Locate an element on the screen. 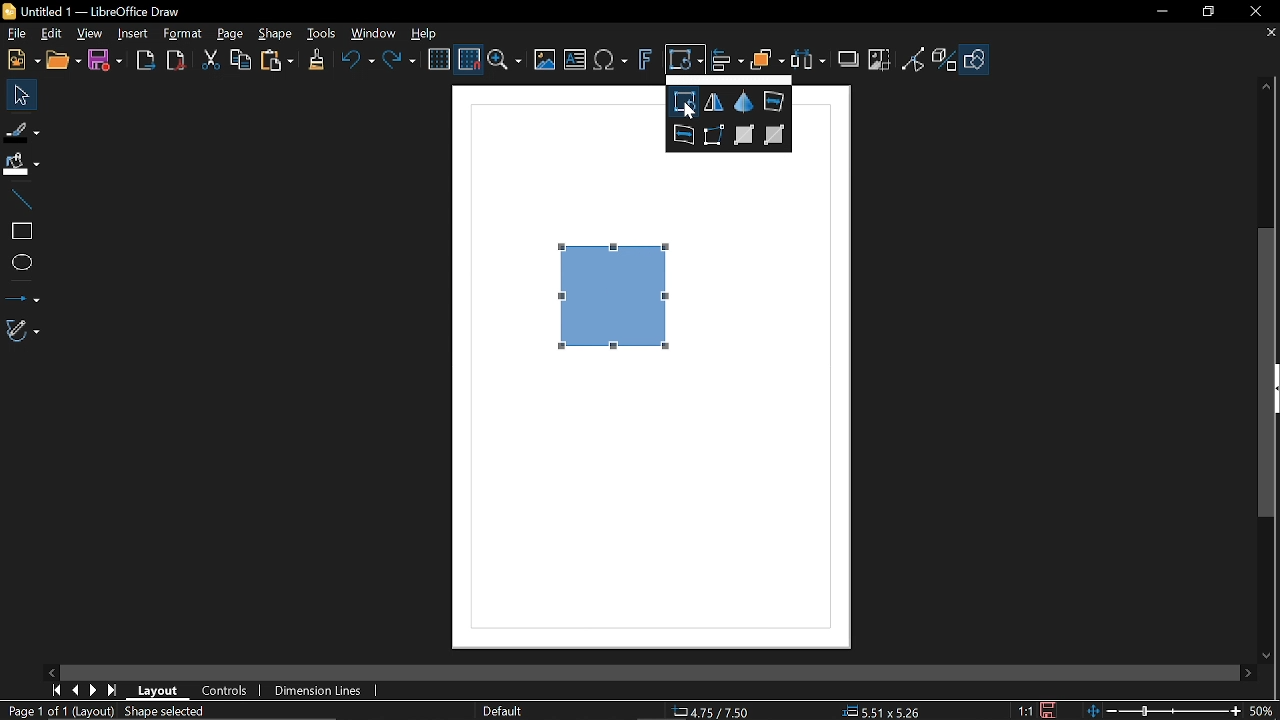 The width and height of the screenshot is (1280, 720). Close tab is located at coordinates (1272, 33).